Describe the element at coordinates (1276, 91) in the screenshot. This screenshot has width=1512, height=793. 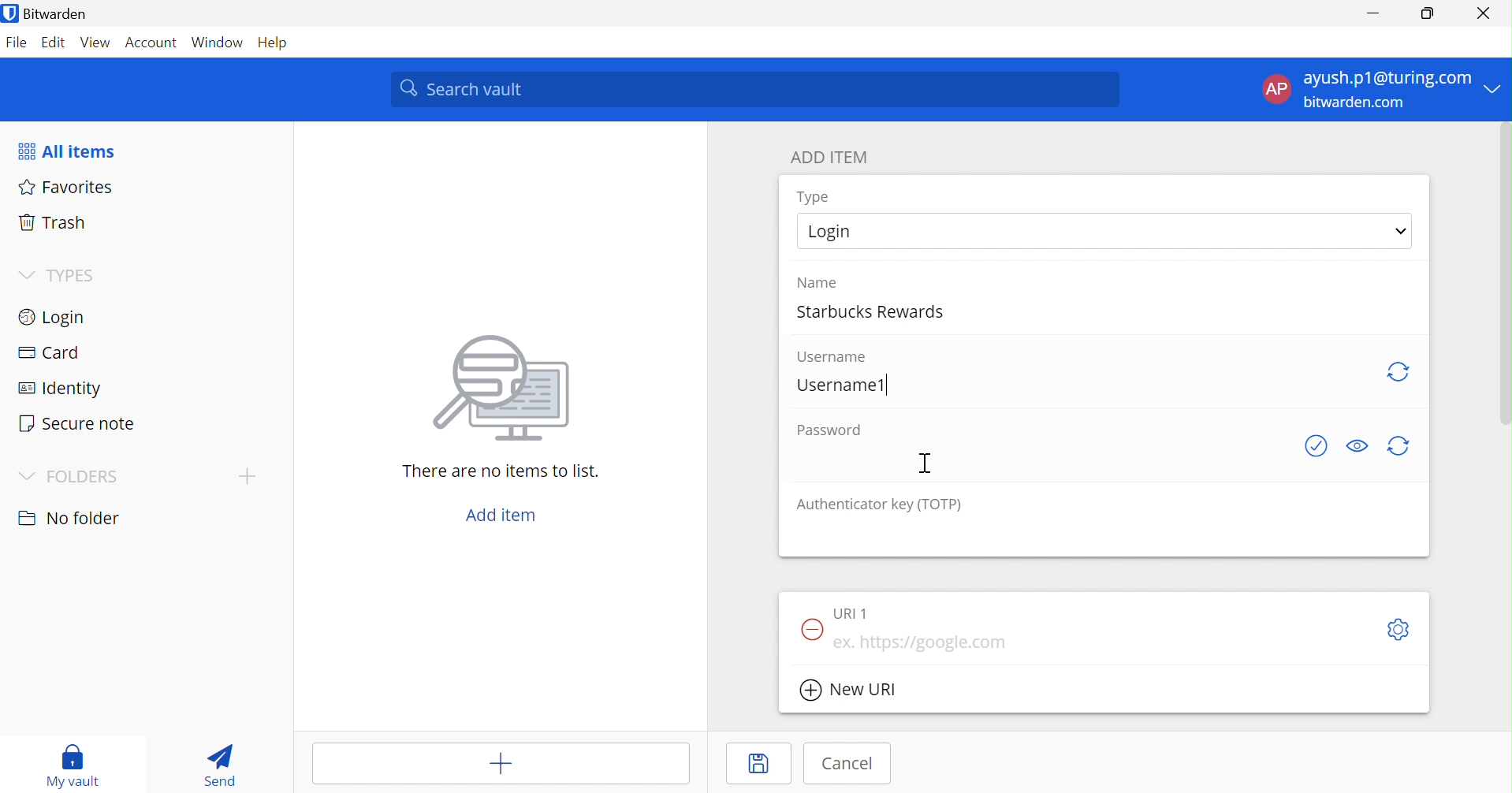
I see `AP` at that location.